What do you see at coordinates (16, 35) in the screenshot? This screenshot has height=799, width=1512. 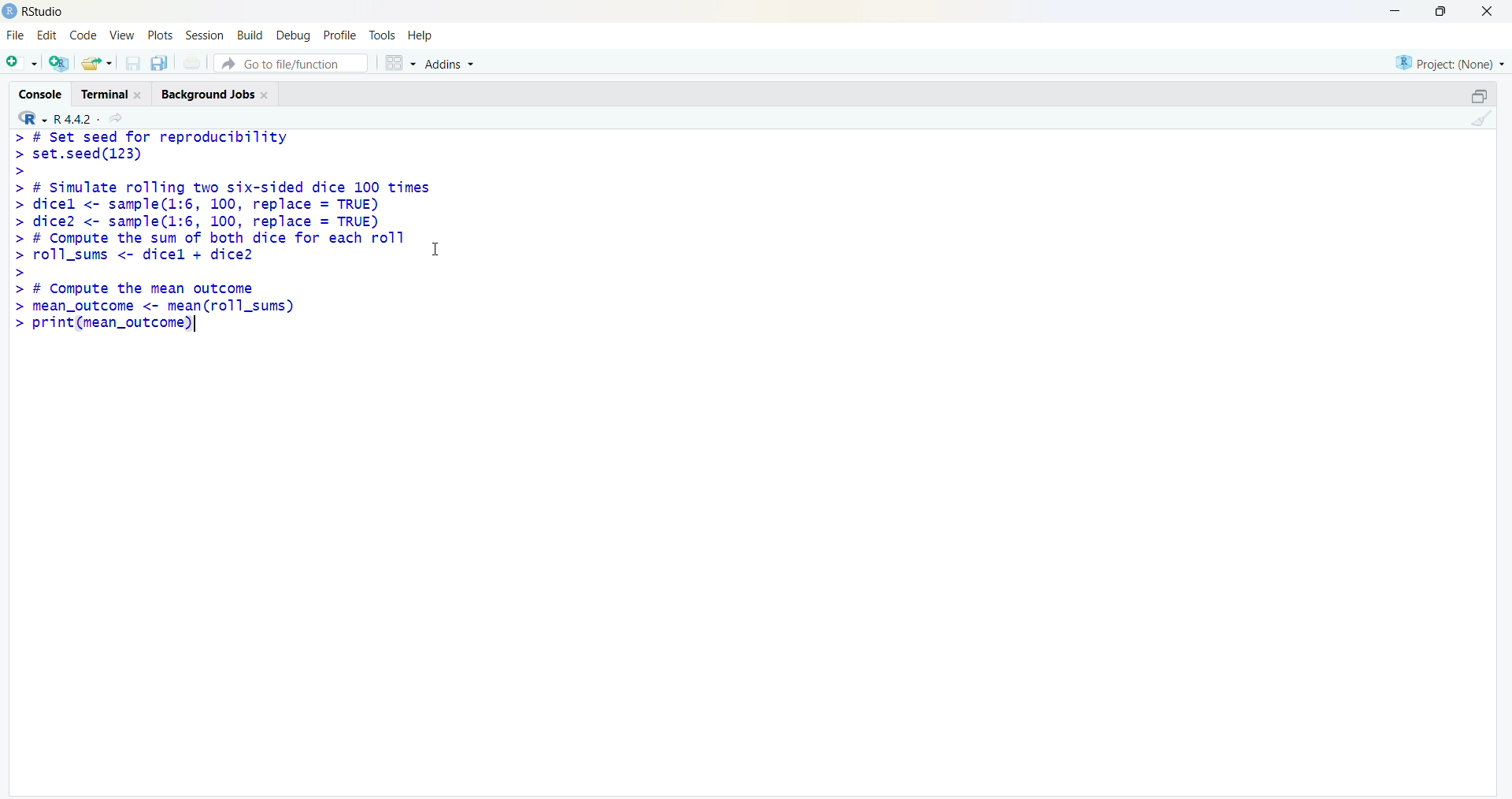 I see `file` at bounding box center [16, 35].